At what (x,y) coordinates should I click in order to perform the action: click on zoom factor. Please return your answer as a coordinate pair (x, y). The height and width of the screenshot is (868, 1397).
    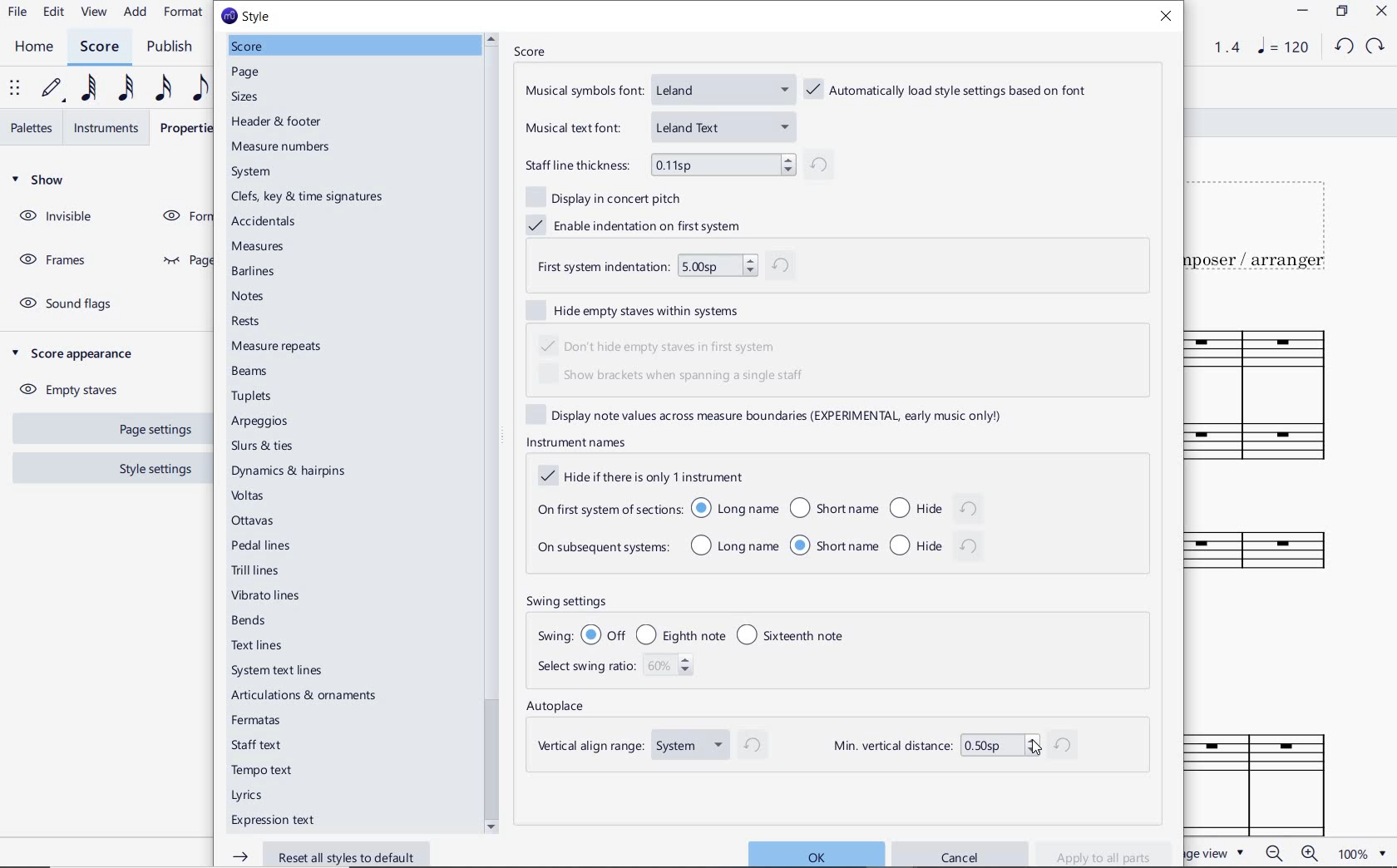
    Looking at the image, I should click on (1360, 853).